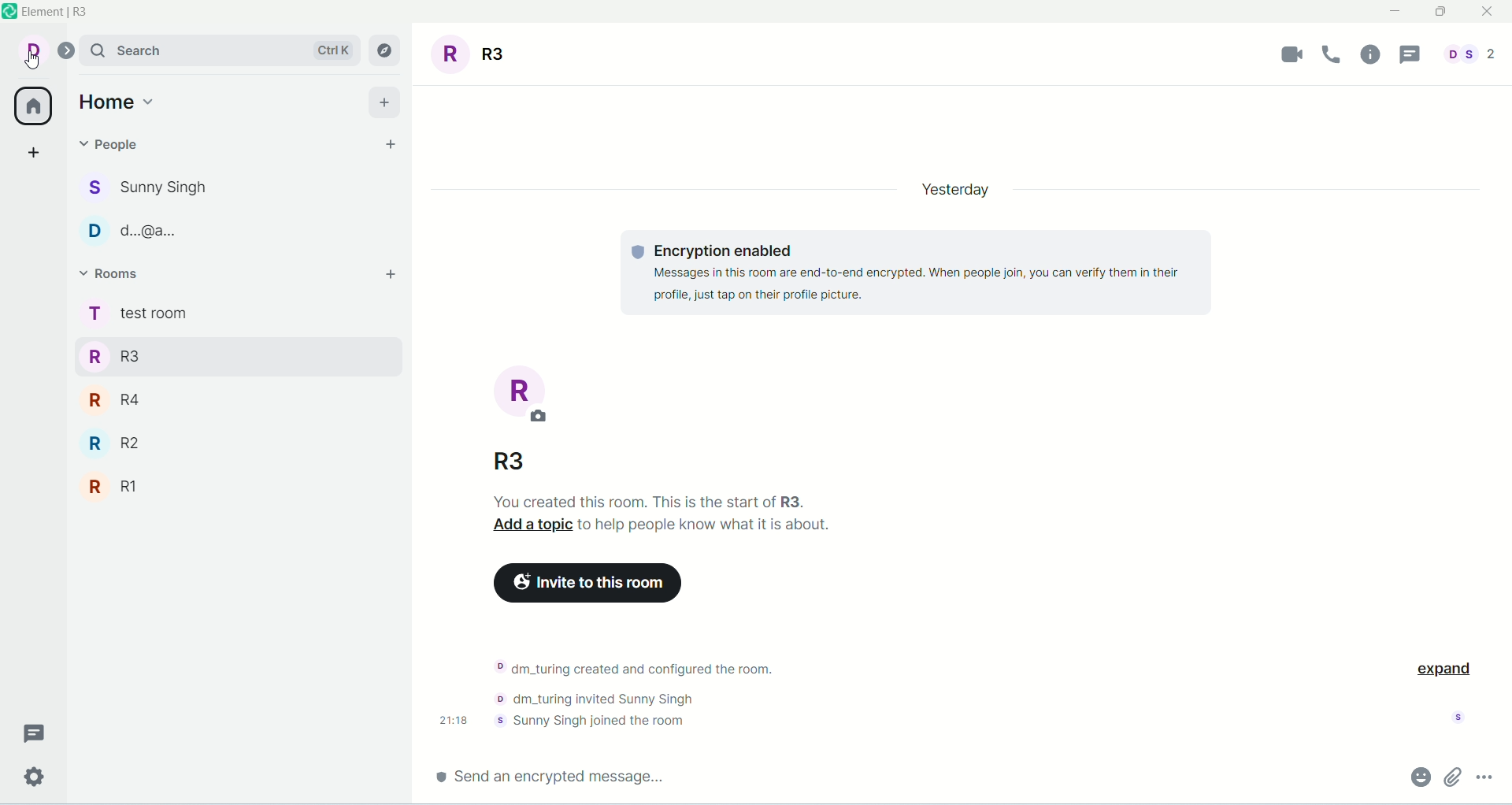 Image resolution: width=1512 pixels, height=805 pixels. Describe the element at coordinates (147, 190) in the screenshot. I see `people` at that location.